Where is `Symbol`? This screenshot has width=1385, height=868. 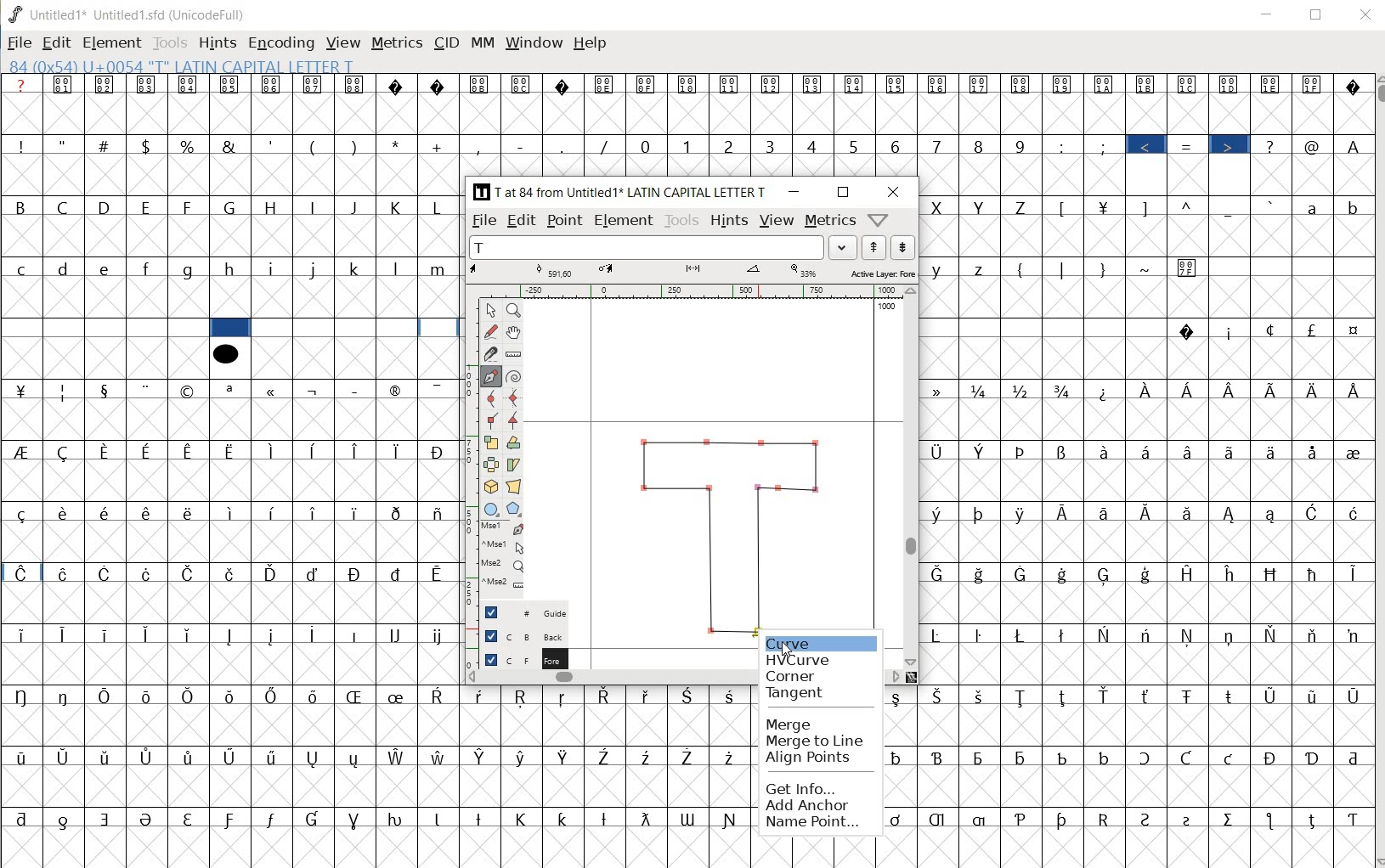
Symbol is located at coordinates (107, 819).